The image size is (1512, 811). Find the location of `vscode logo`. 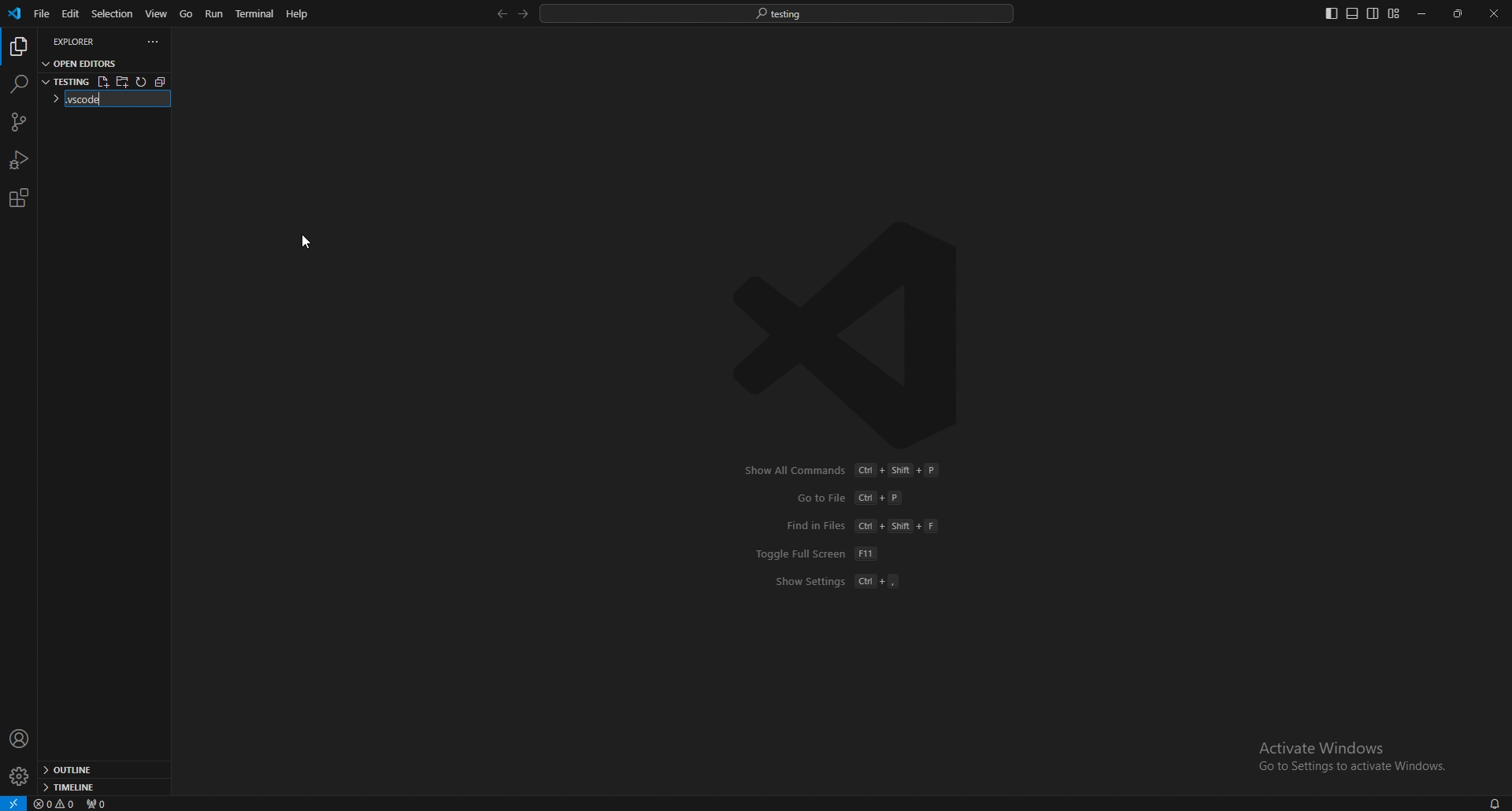

vscode logo is located at coordinates (855, 335).